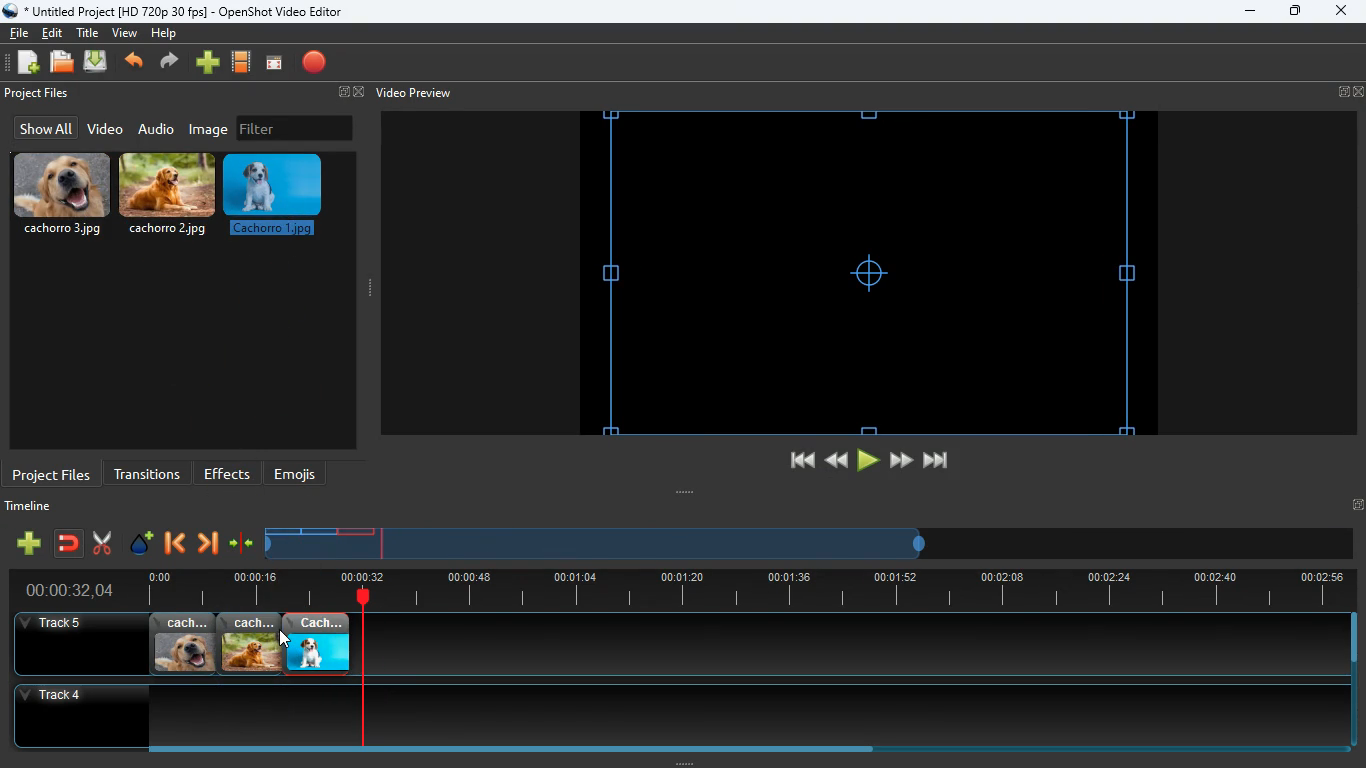 The image size is (1366, 768). Describe the element at coordinates (30, 65) in the screenshot. I see `add files` at that location.